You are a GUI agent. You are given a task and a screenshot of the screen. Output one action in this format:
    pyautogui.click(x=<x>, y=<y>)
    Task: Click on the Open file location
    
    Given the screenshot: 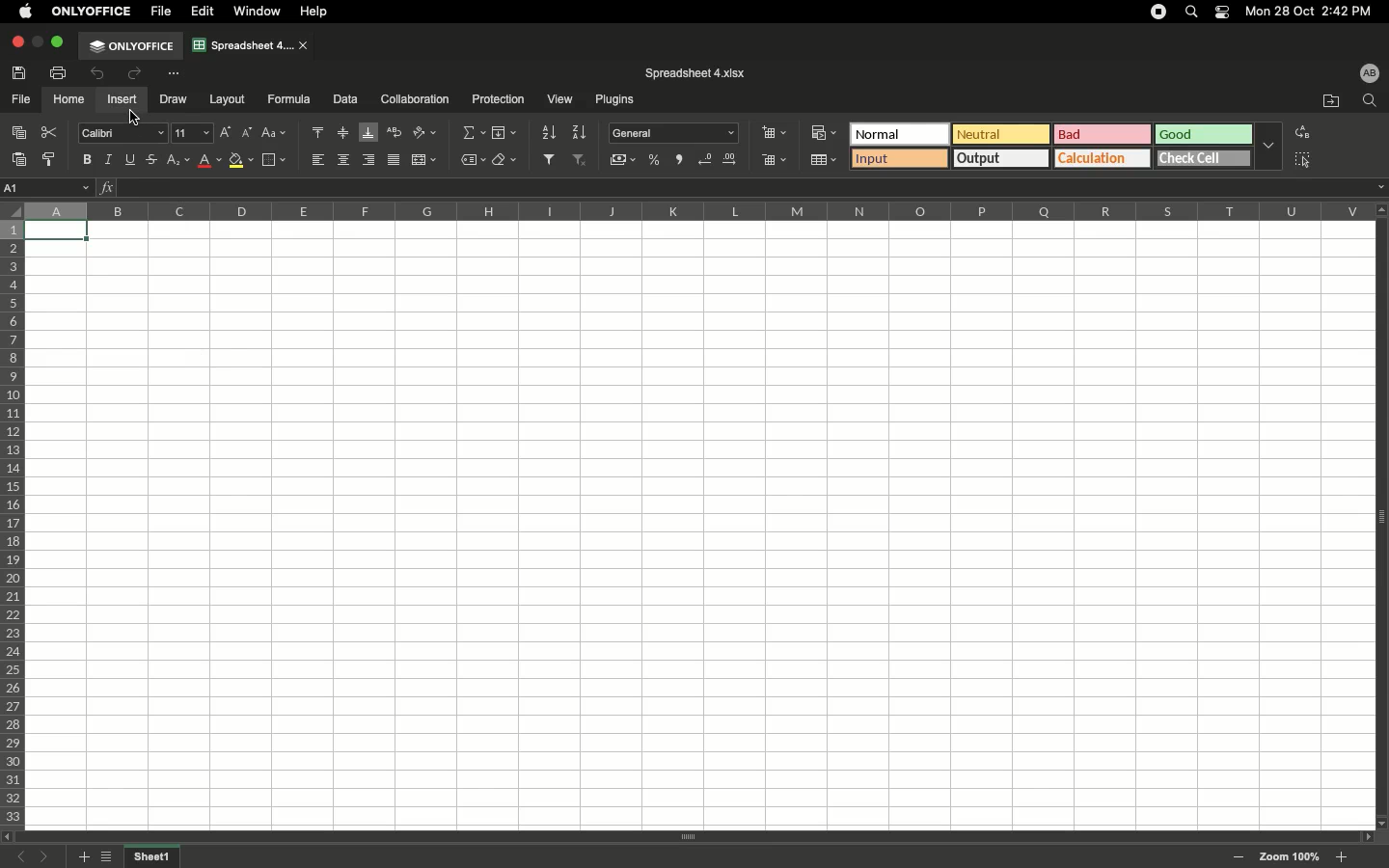 What is the action you would take?
    pyautogui.click(x=1331, y=101)
    